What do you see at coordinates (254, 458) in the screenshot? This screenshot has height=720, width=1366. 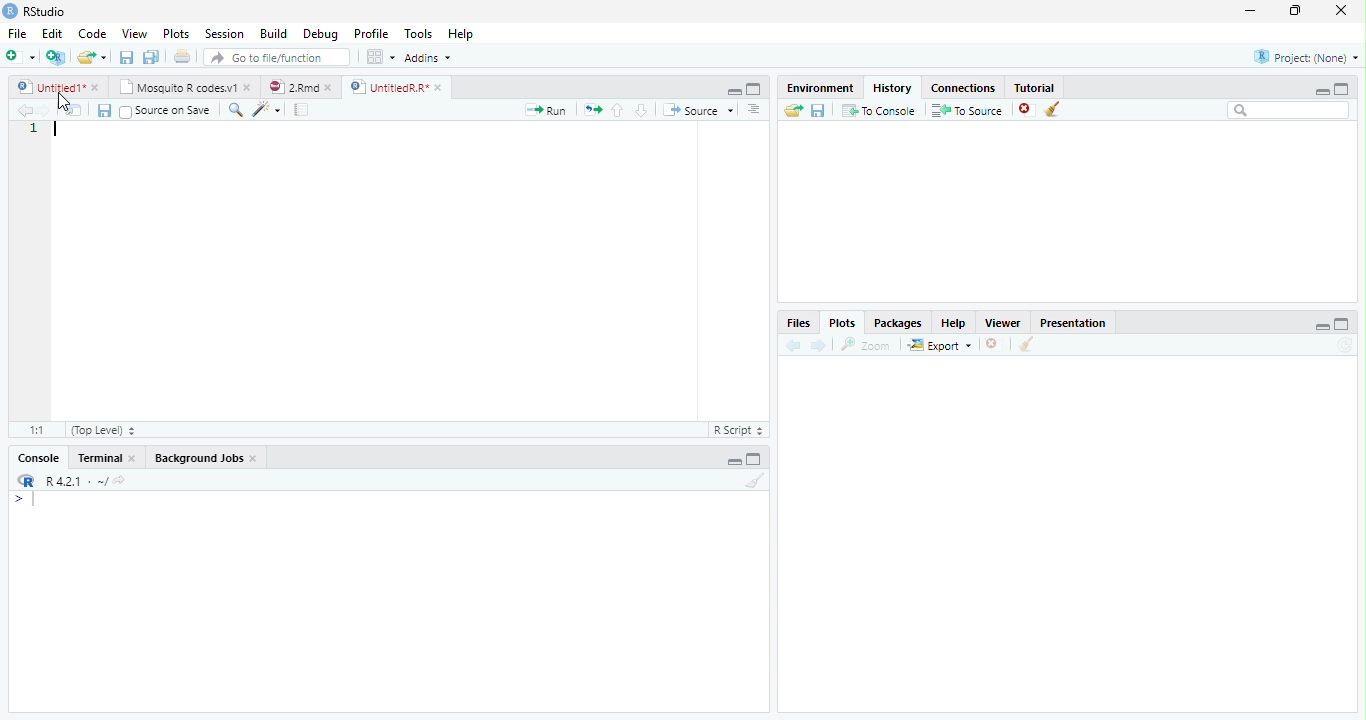 I see `close` at bounding box center [254, 458].